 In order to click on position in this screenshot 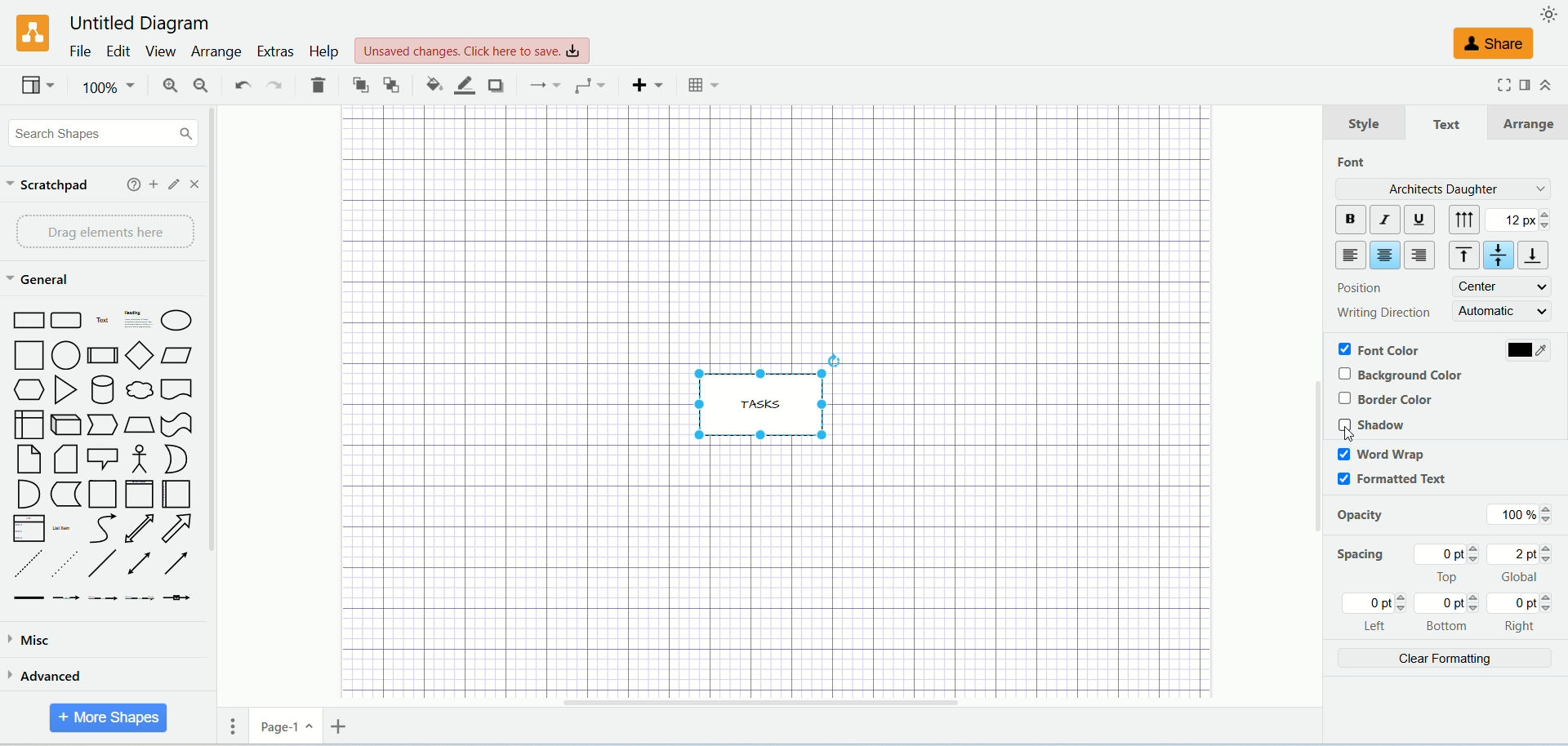, I will do `click(1356, 286)`.